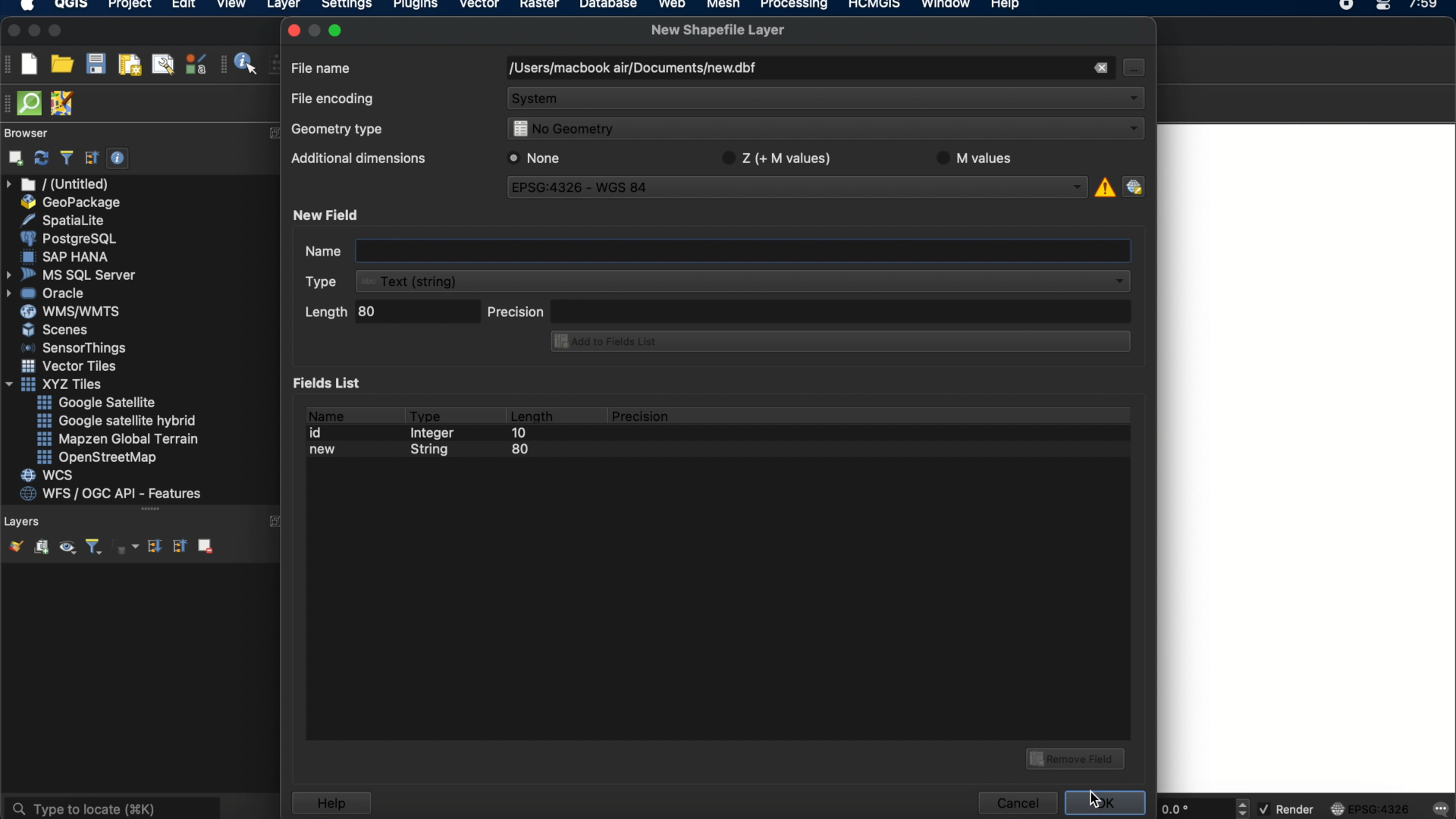 The image size is (1456, 819). I want to click on new field, so click(328, 215).